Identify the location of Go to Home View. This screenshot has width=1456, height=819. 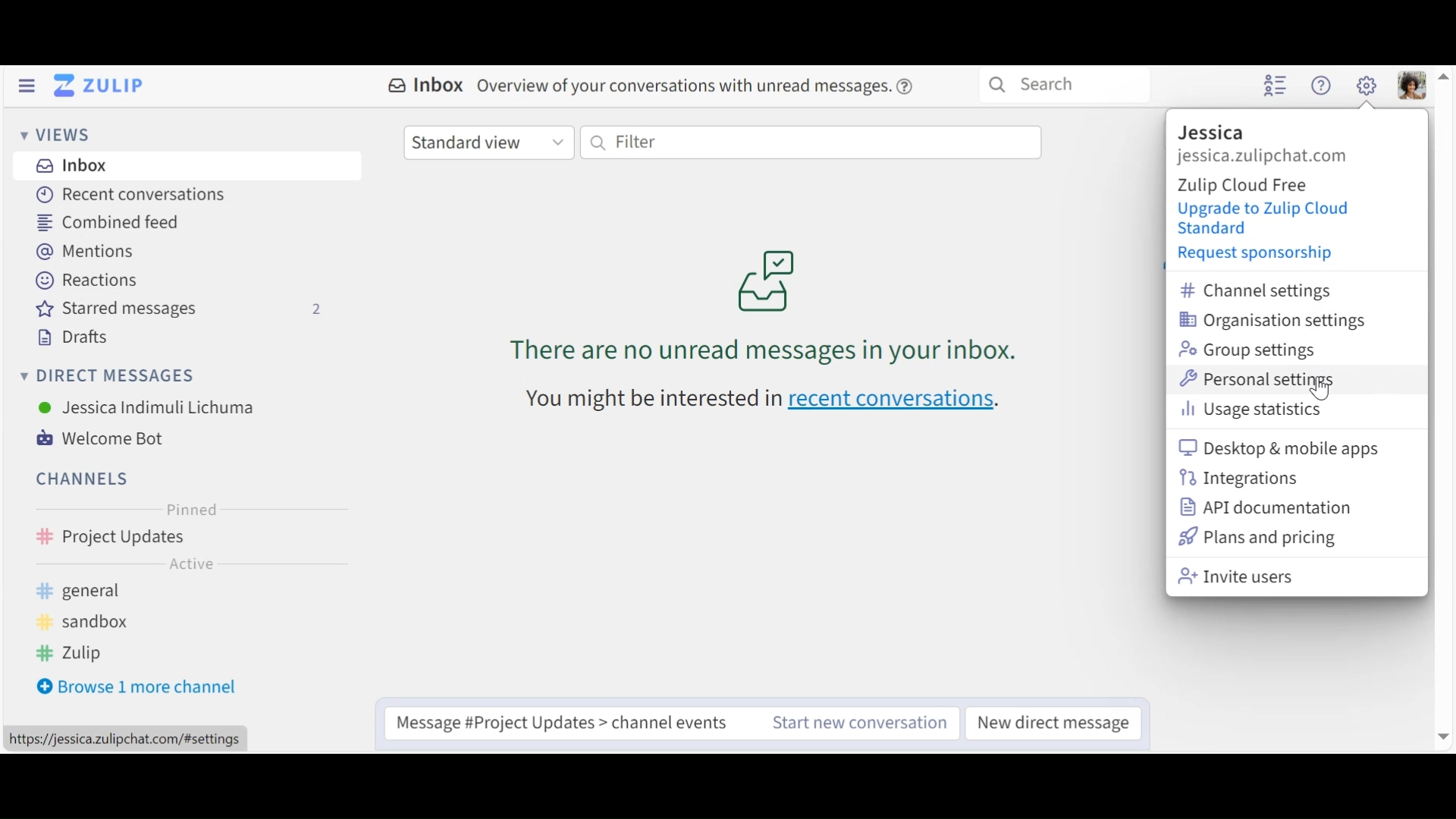
(104, 86).